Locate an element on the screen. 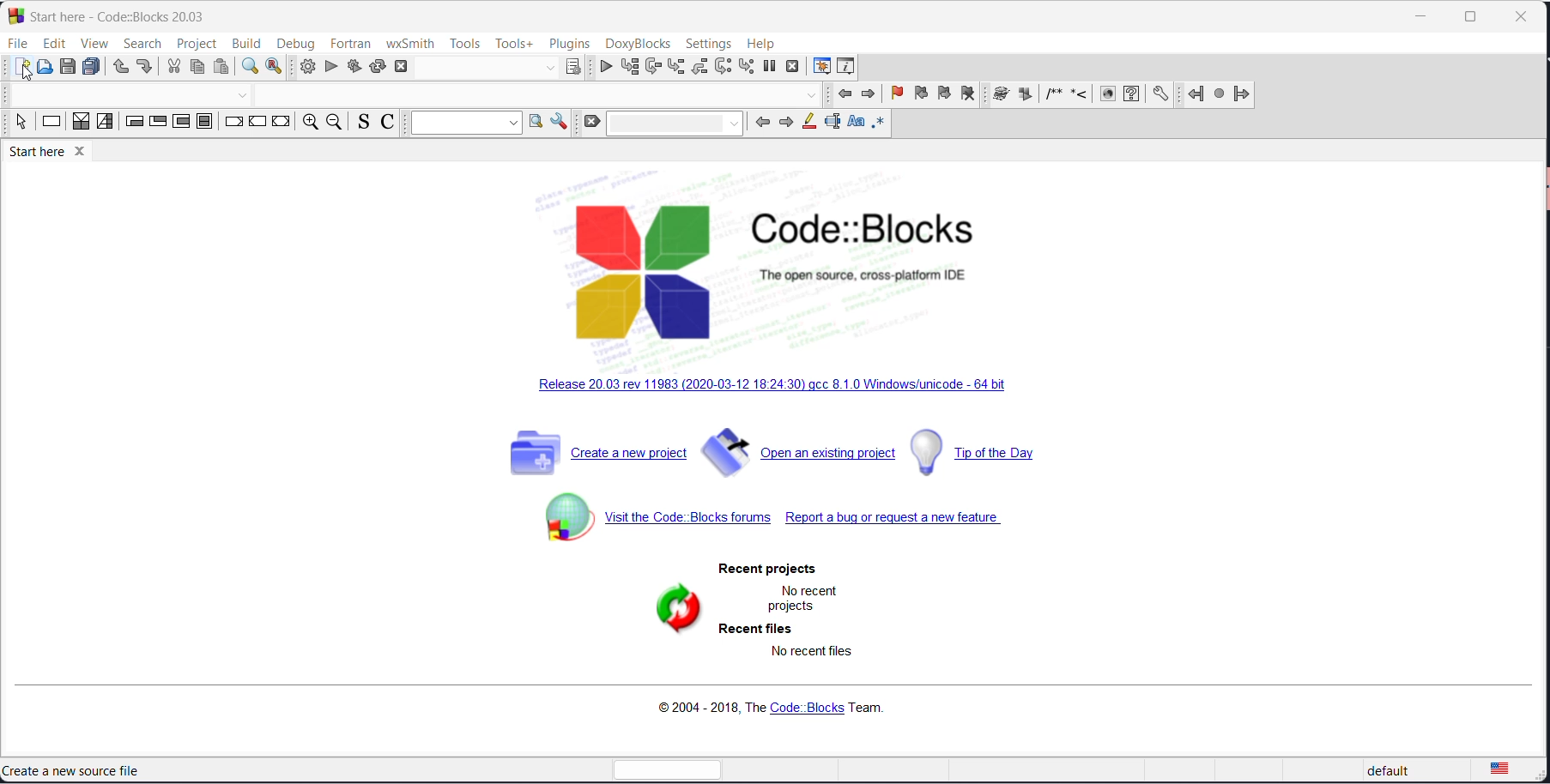 This screenshot has height=784, width=1550. Various info is located at coordinates (851, 67).